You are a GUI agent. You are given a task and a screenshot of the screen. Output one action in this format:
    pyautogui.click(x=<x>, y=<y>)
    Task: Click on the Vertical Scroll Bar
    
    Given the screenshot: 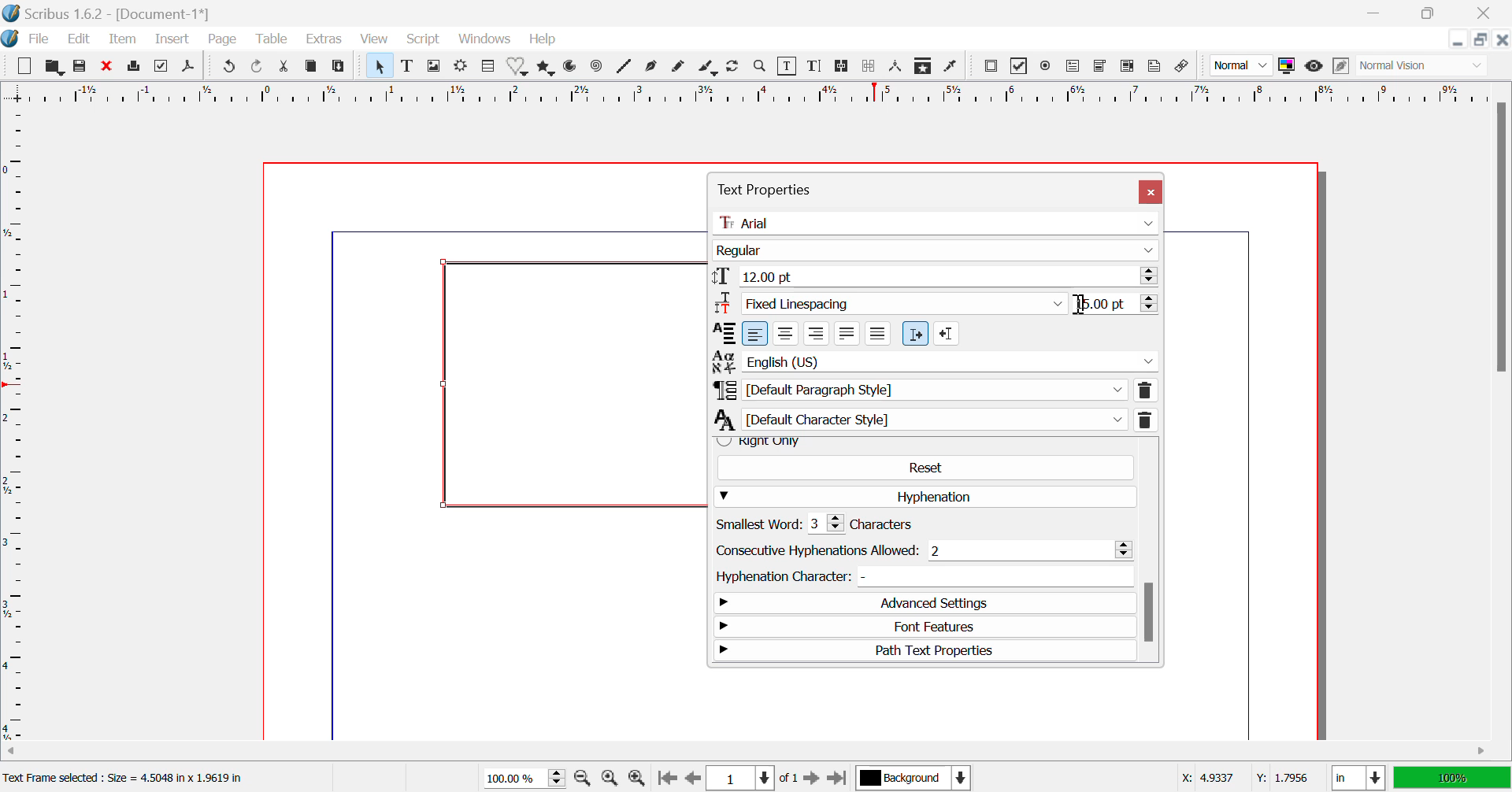 What is the action you would take?
    pyautogui.click(x=1499, y=418)
    